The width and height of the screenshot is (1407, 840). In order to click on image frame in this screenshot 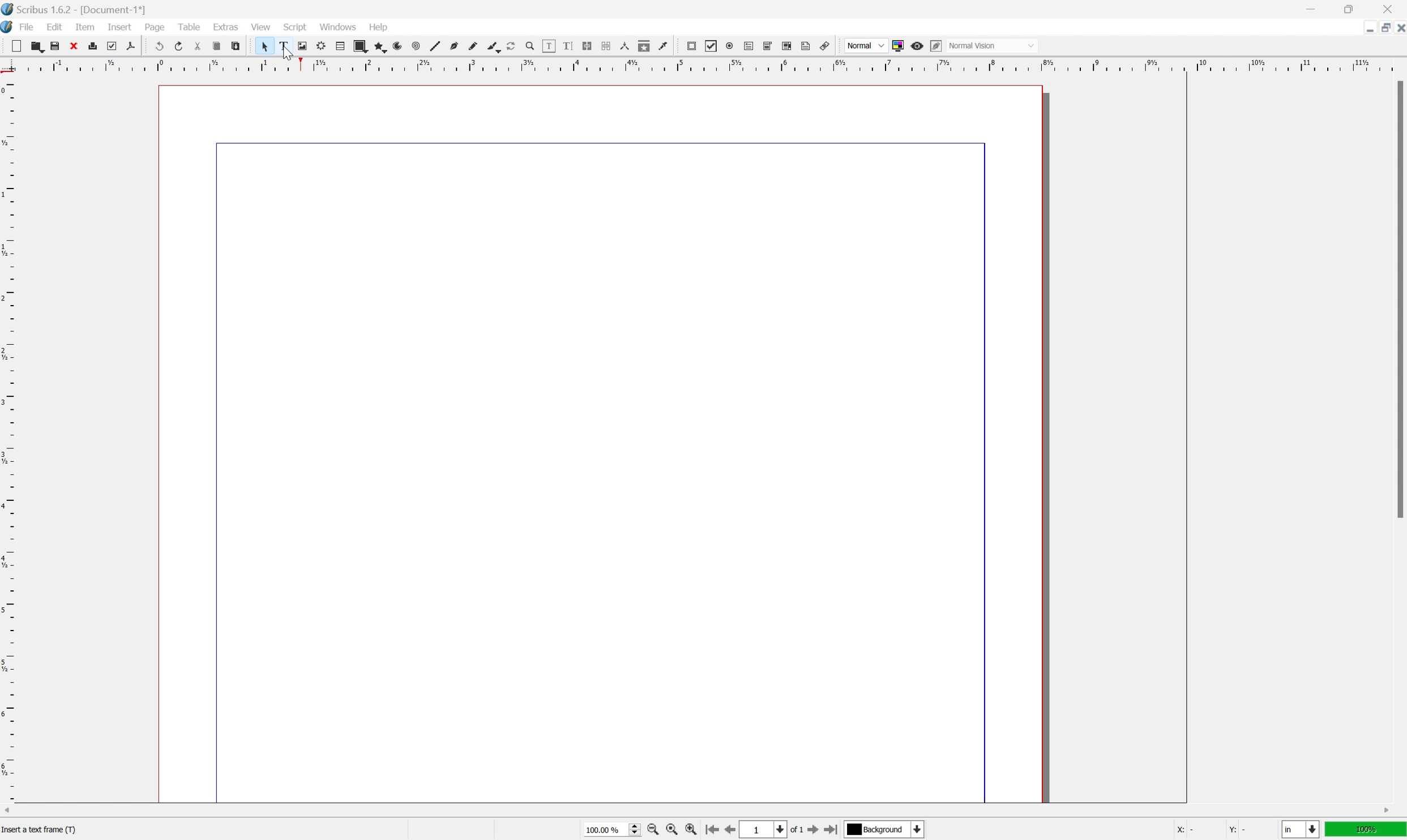, I will do `click(301, 46)`.